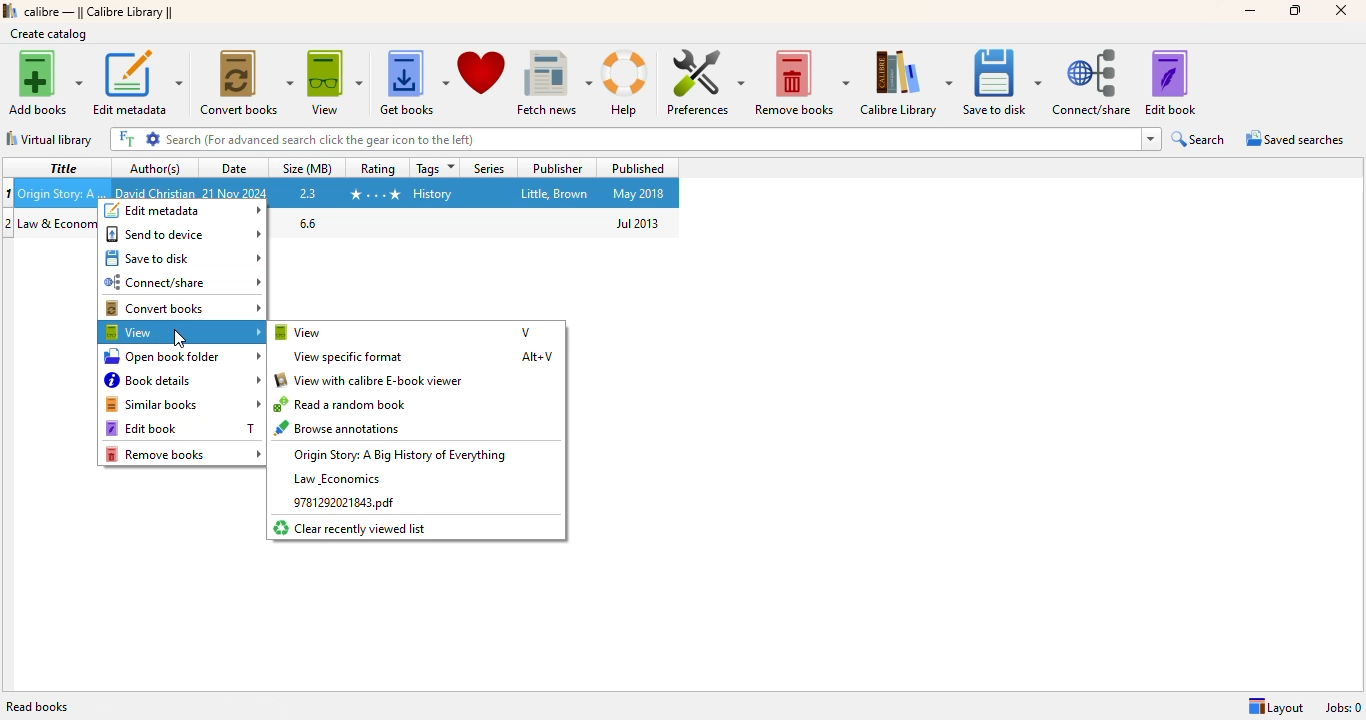 The image size is (1366, 720). What do you see at coordinates (537, 357) in the screenshot?
I see `shortcut for view specific format` at bounding box center [537, 357].